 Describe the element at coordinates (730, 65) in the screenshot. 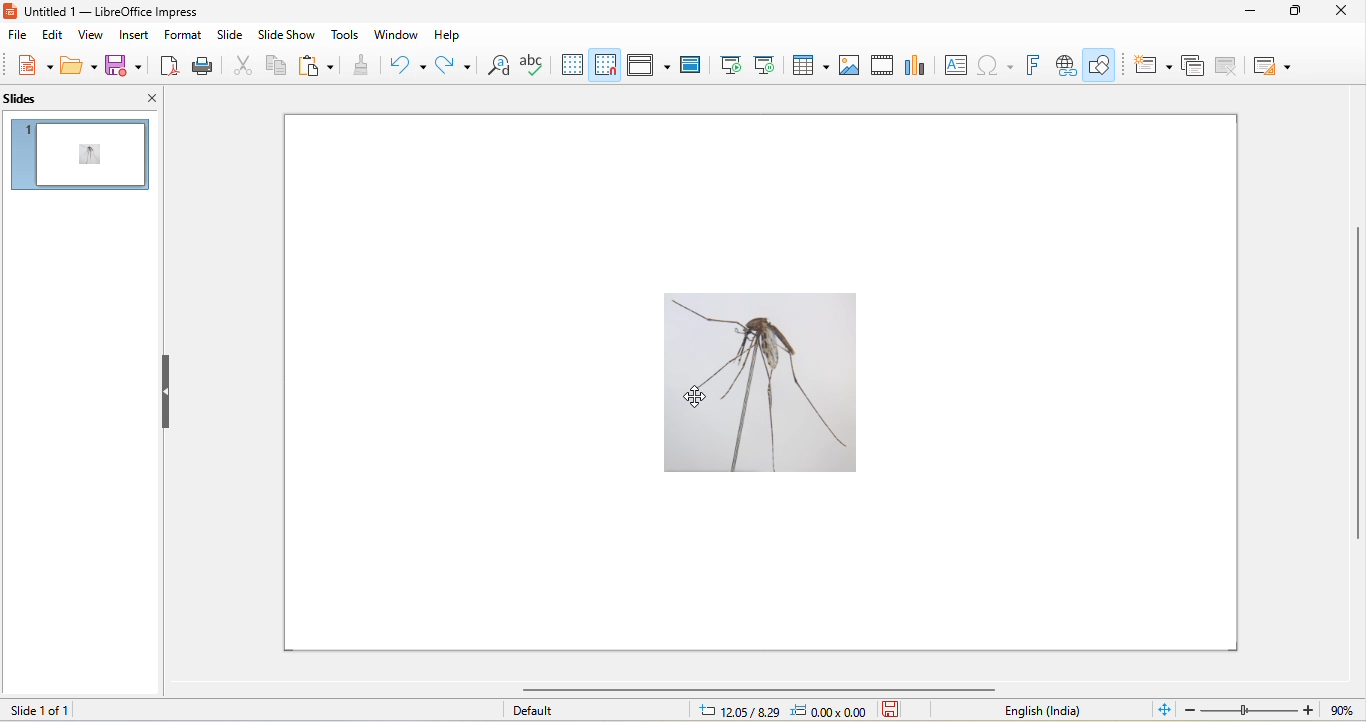

I see `start from beginning` at that location.